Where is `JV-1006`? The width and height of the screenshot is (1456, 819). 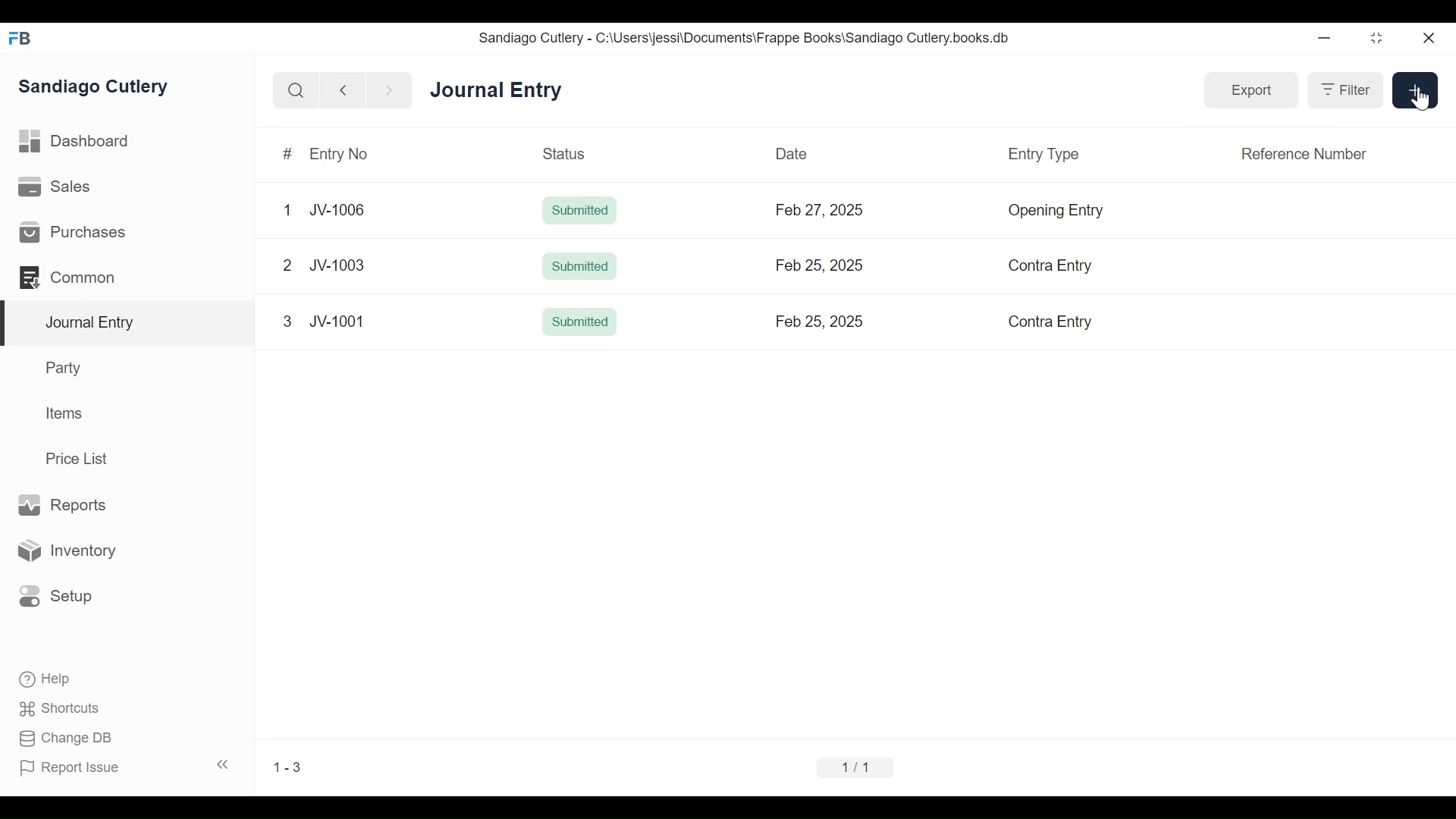 JV-1006 is located at coordinates (338, 211).